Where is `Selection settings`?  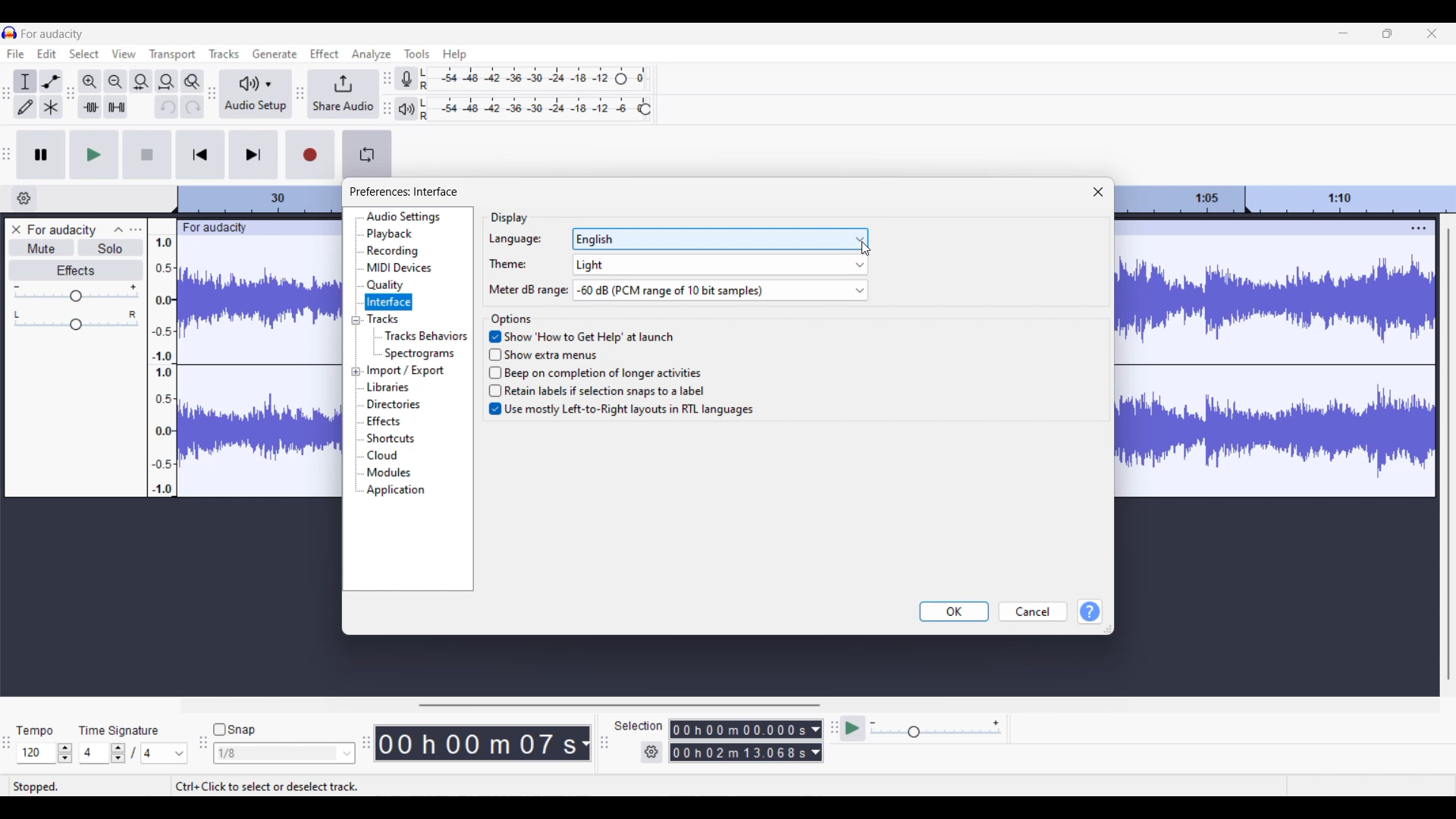
Selection settings is located at coordinates (652, 752).